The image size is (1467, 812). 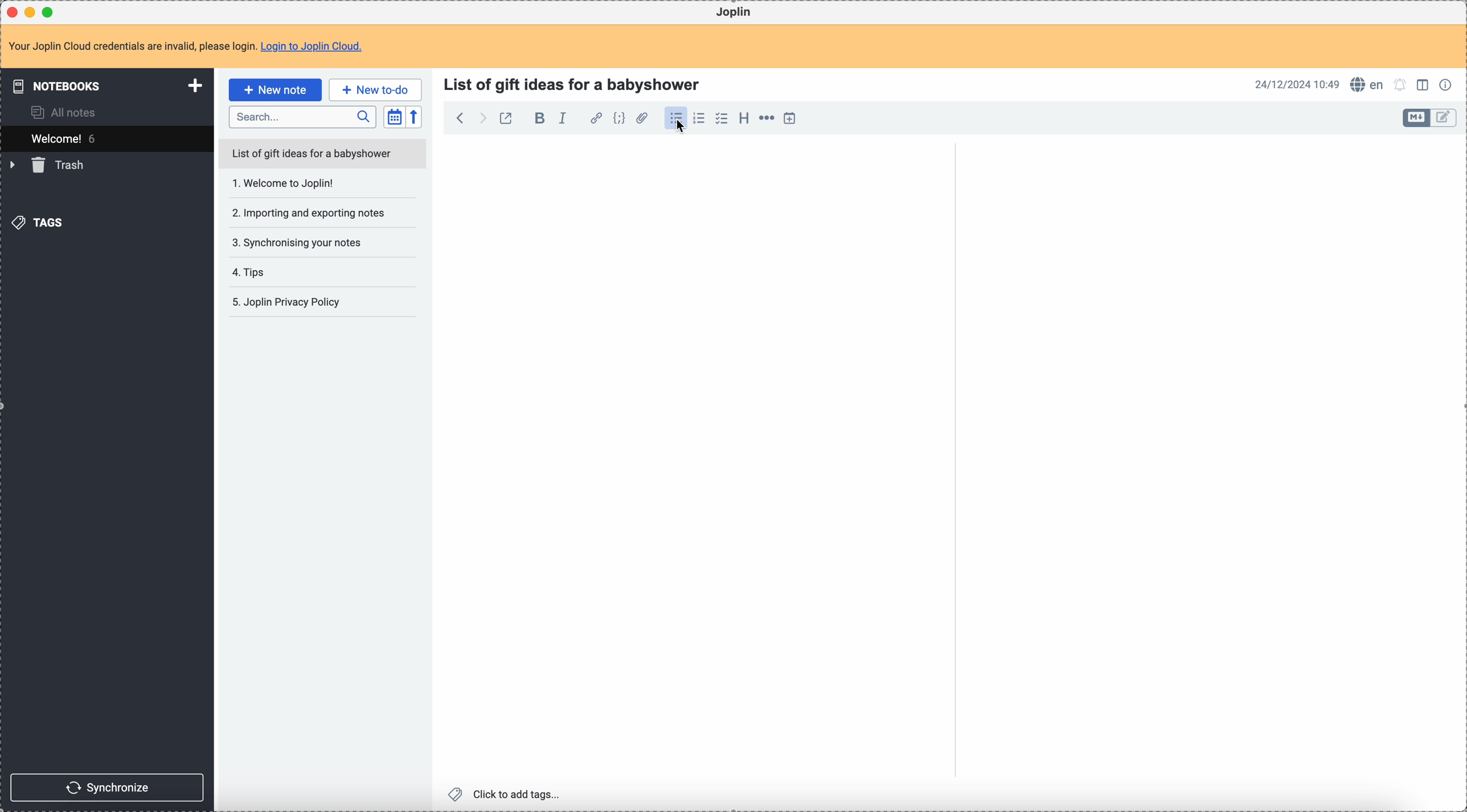 I want to click on click on bulleted list, so click(x=679, y=119).